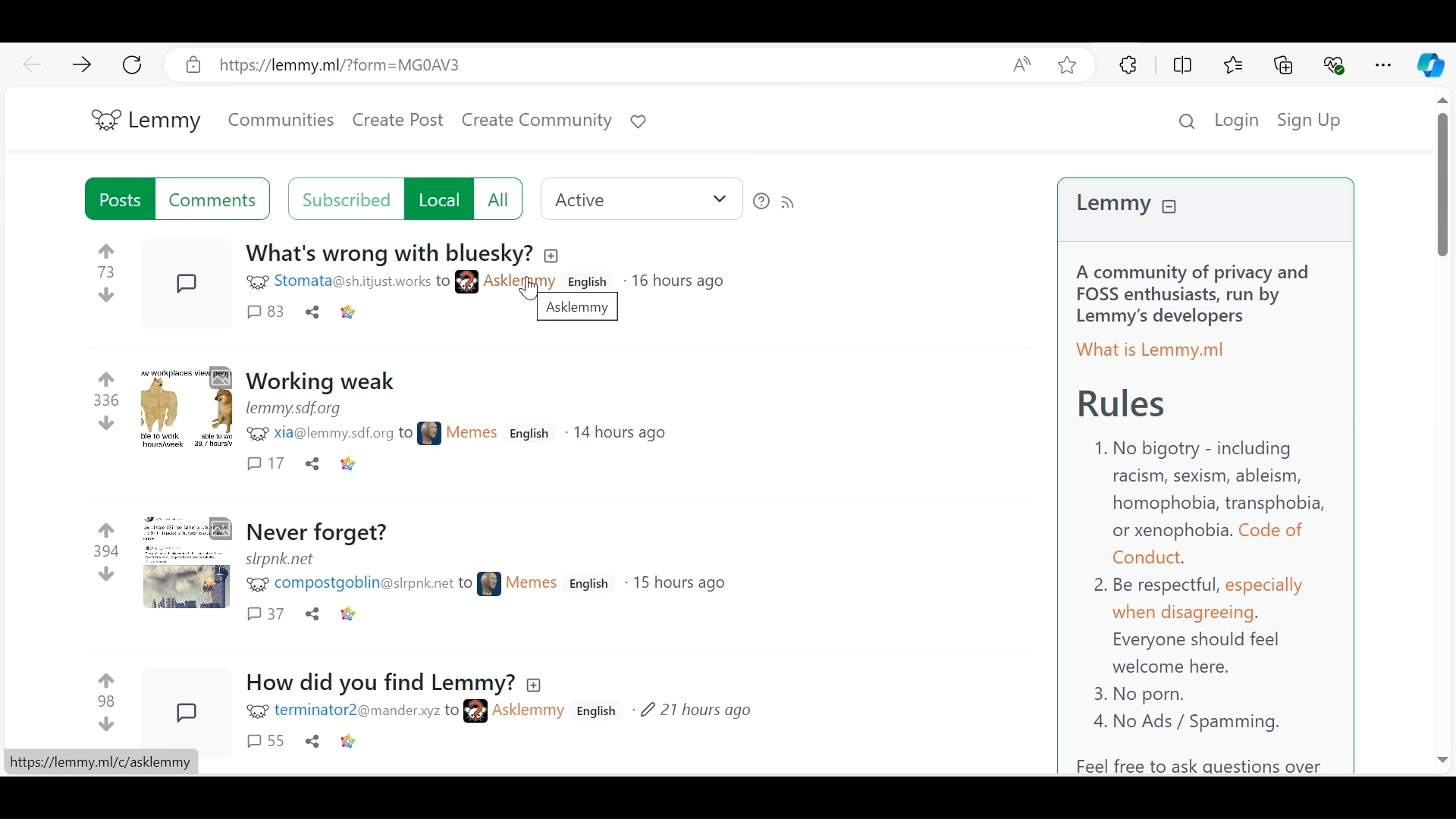  I want to click on Active, so click(641, 199).